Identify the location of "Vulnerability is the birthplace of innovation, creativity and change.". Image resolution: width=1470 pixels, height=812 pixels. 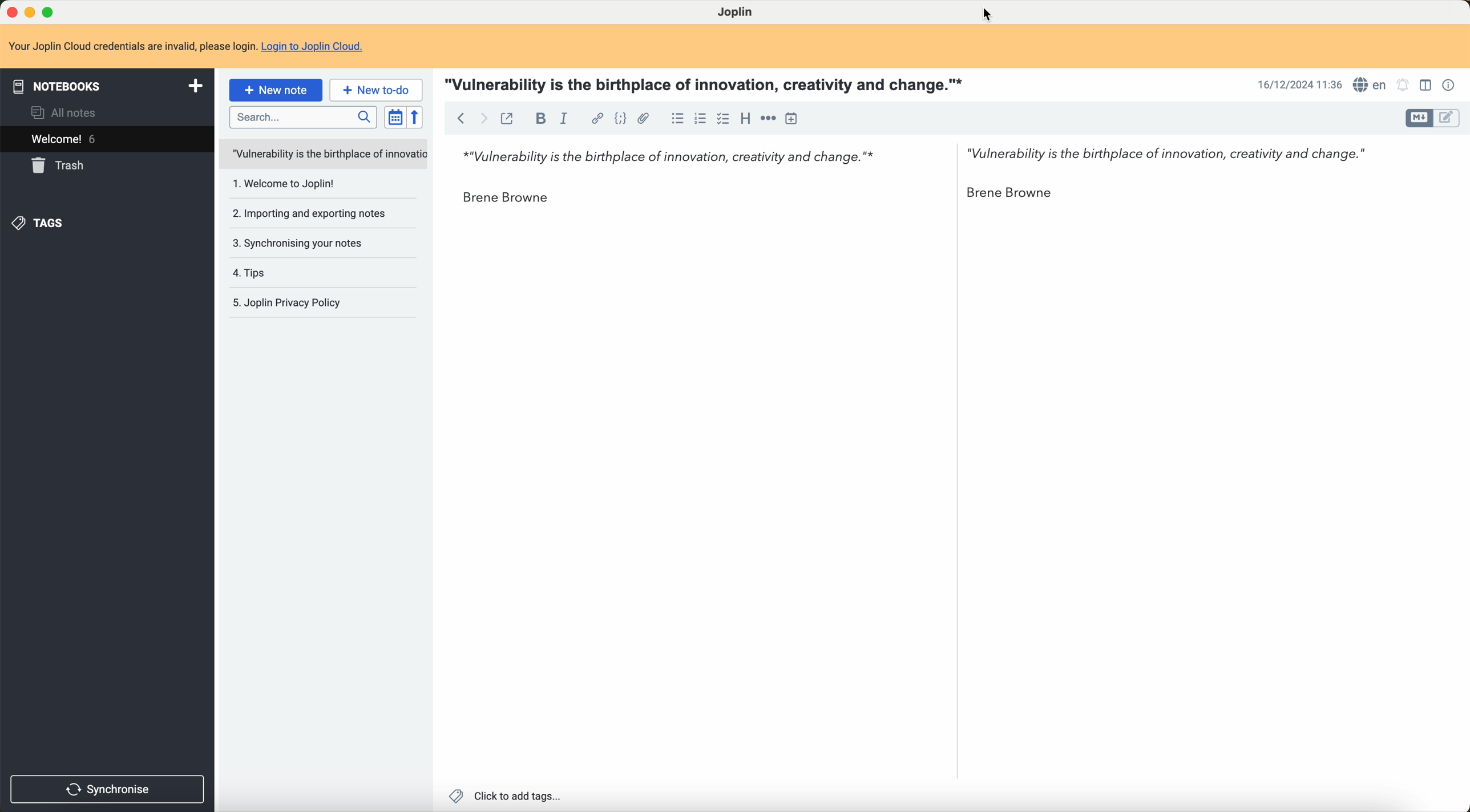
(1166, 151).